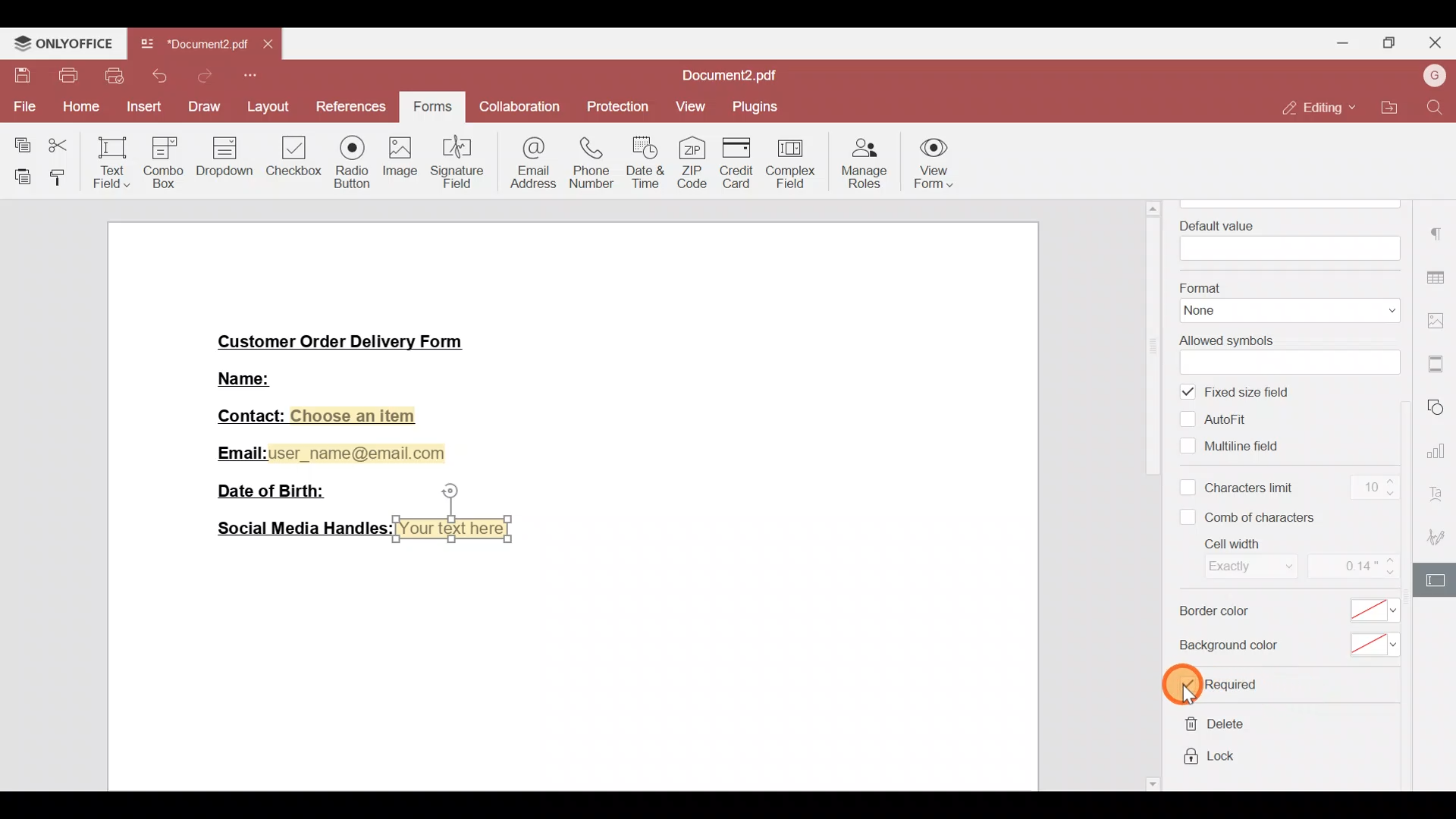  What do you see at coordinates (1439, 236) in the screenshot?
I see `Paragraph settings` at bounding box center [1439, 236].